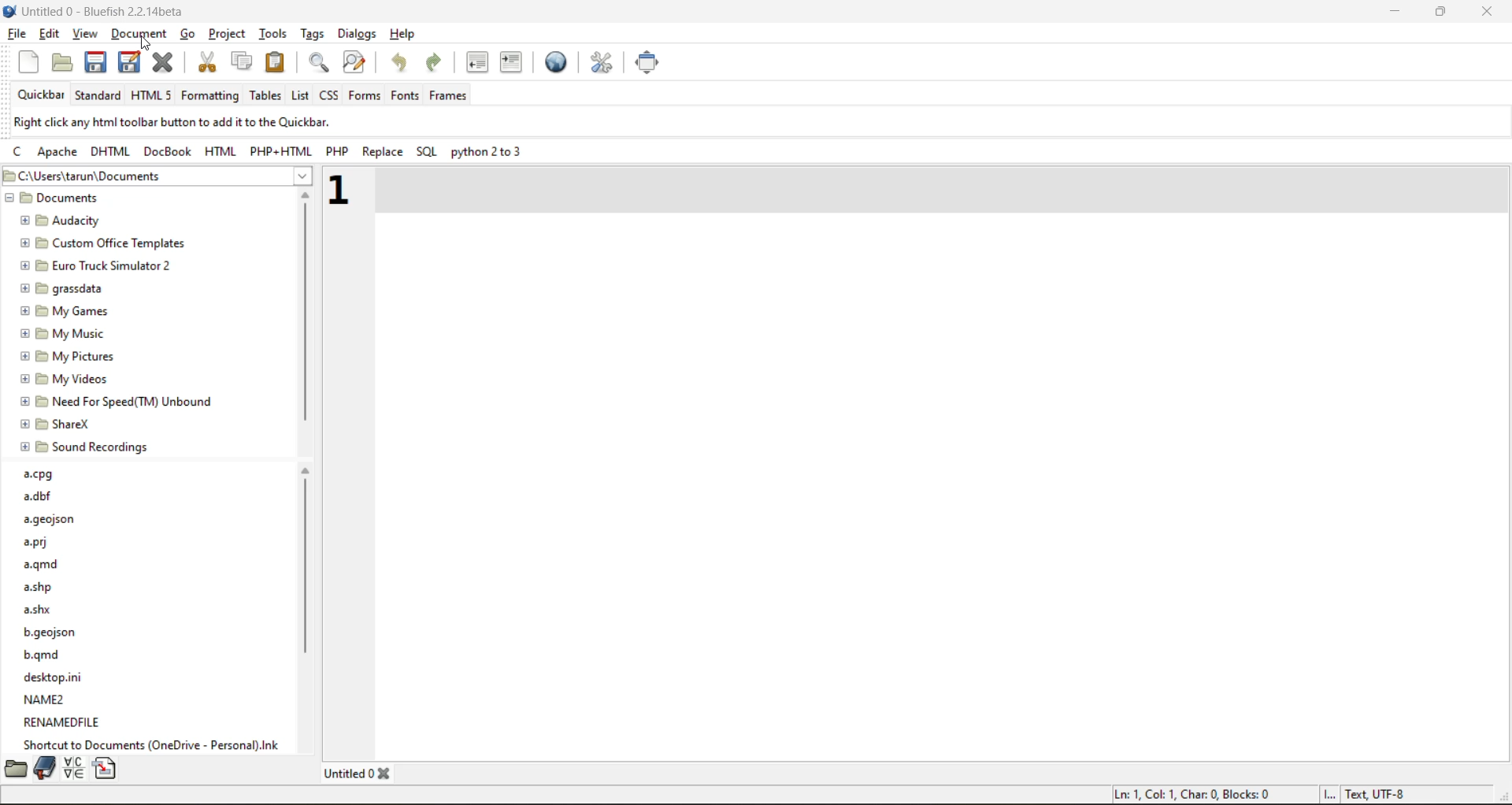  I want to click on Ln: 1, Col: 1, Char: 0, Blocks: 0, so click(1193, 794).